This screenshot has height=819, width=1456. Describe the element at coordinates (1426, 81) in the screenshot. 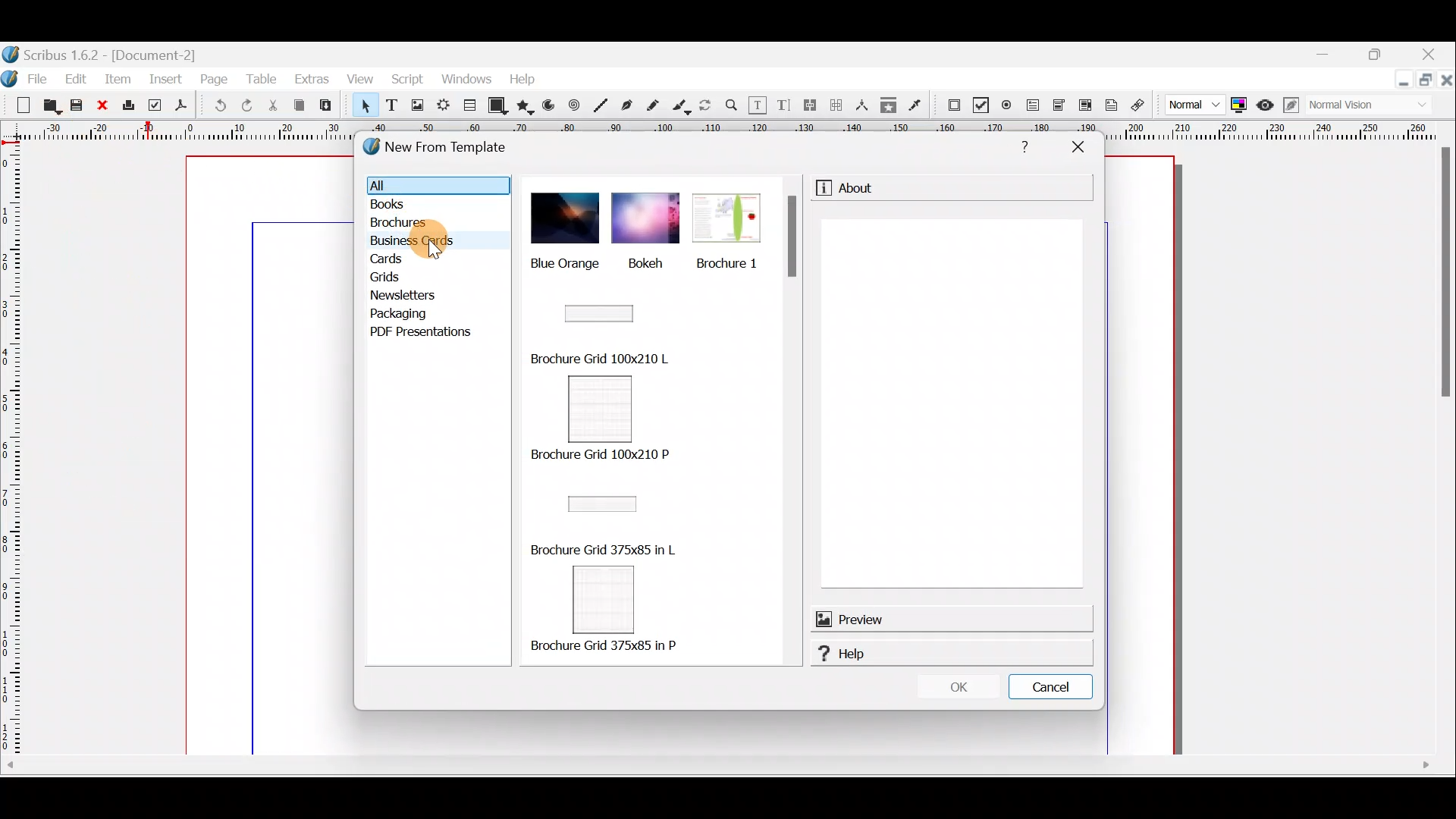

I see `Maximise` at that location.